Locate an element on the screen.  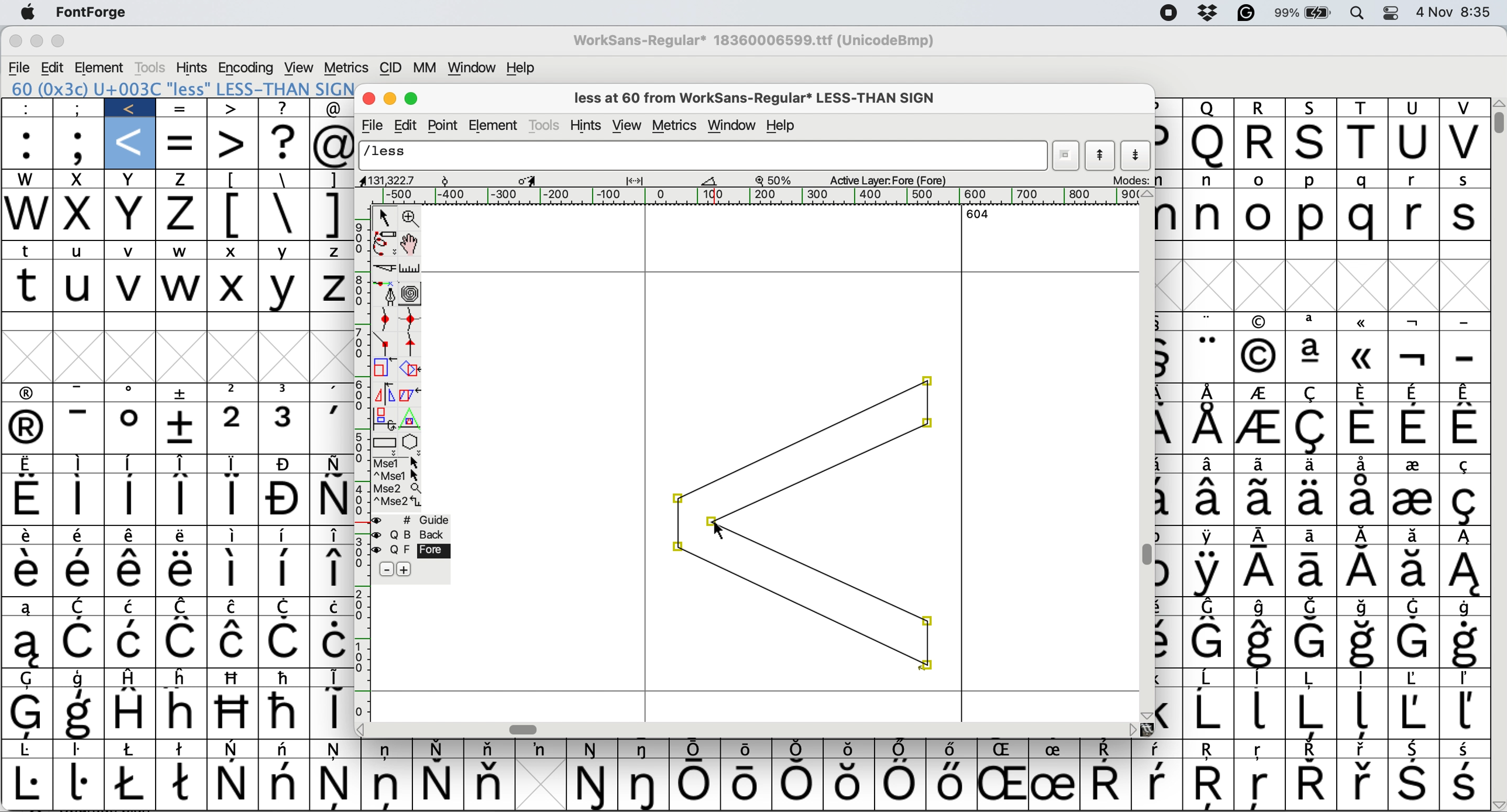
fore is located at coordinates (411, 551).